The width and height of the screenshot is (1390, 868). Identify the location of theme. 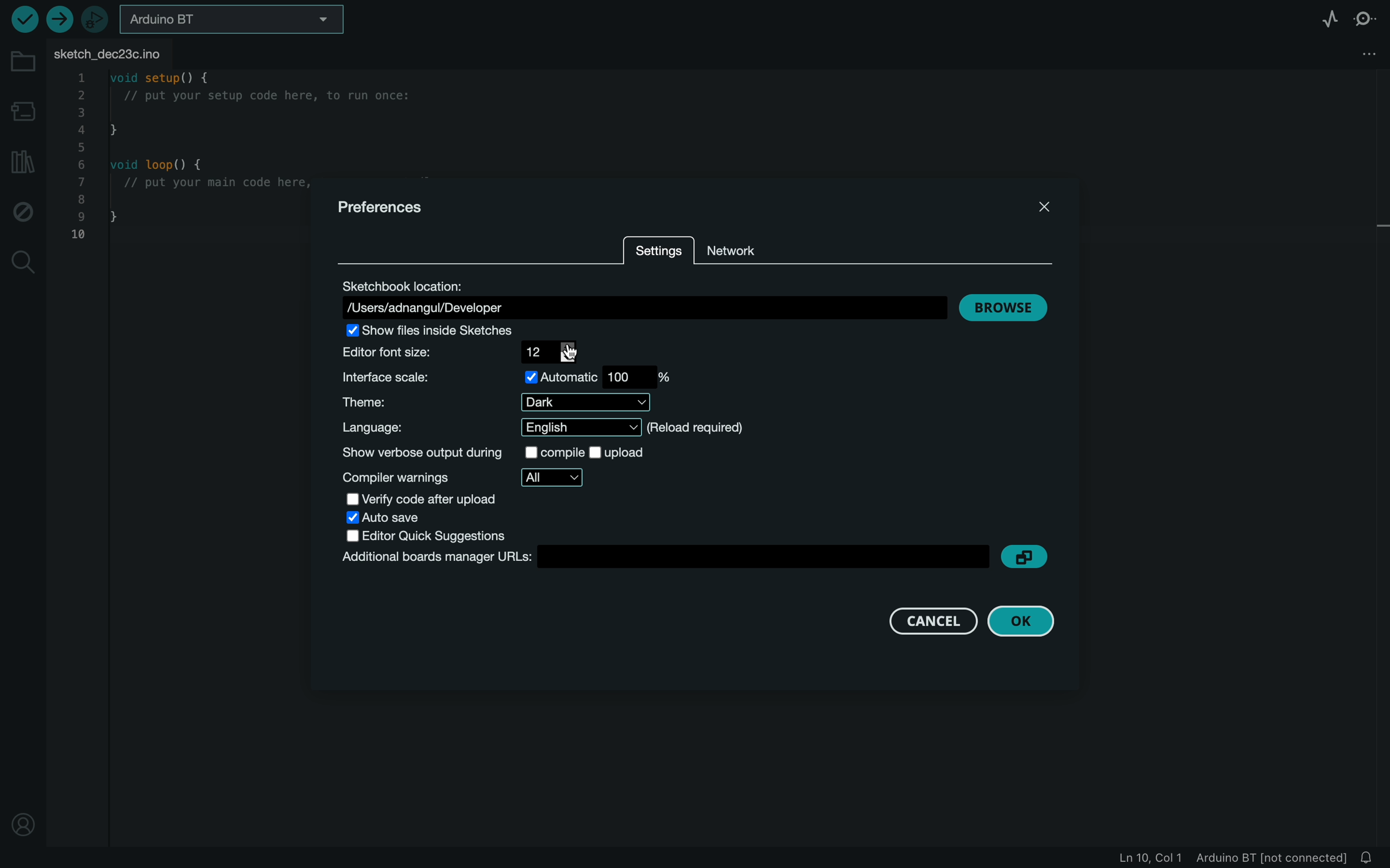
(497, 402).